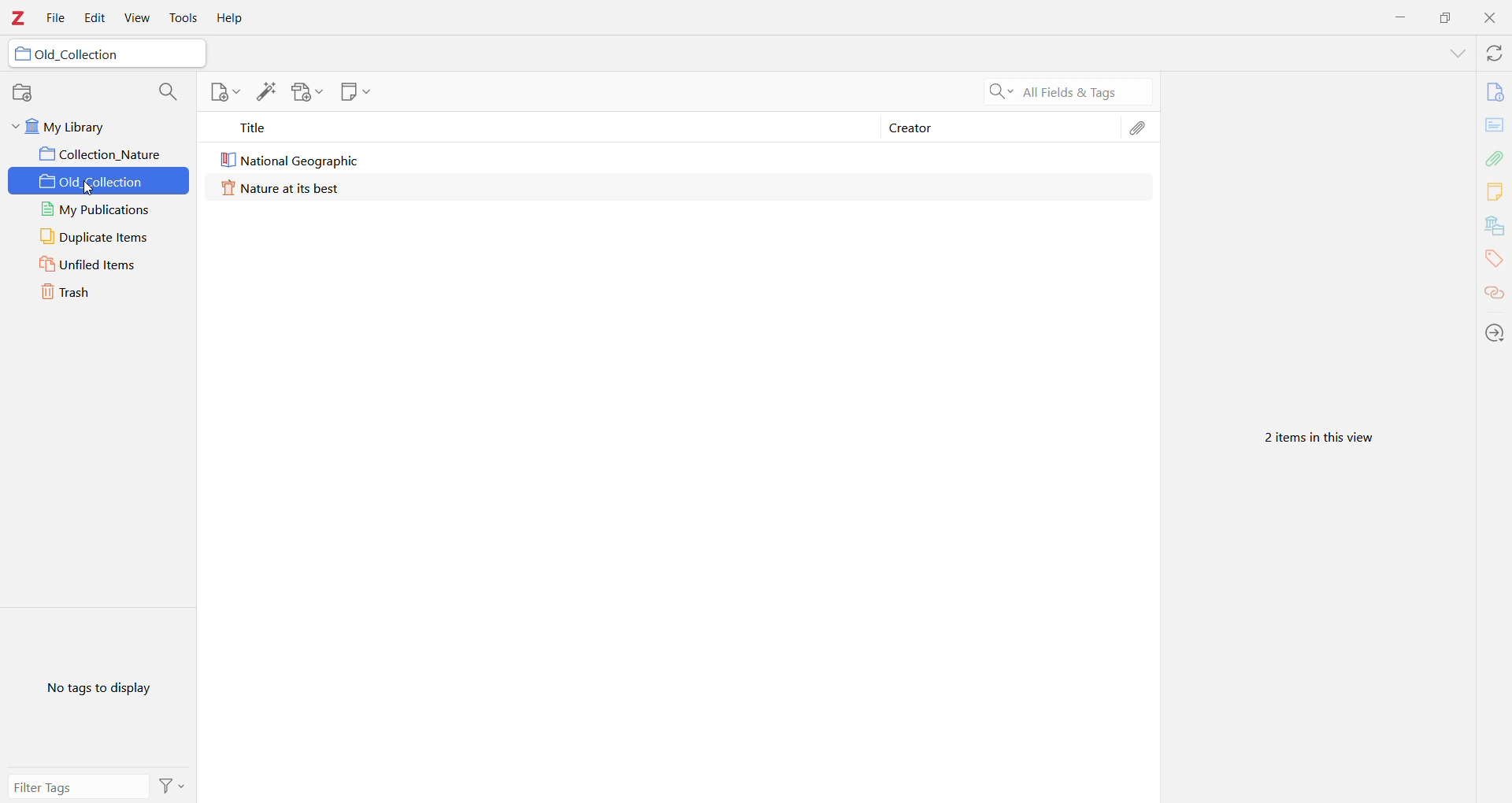 The width and height of the screenshot is (1512, 803). I want to click on Close, so click(1489, 19).